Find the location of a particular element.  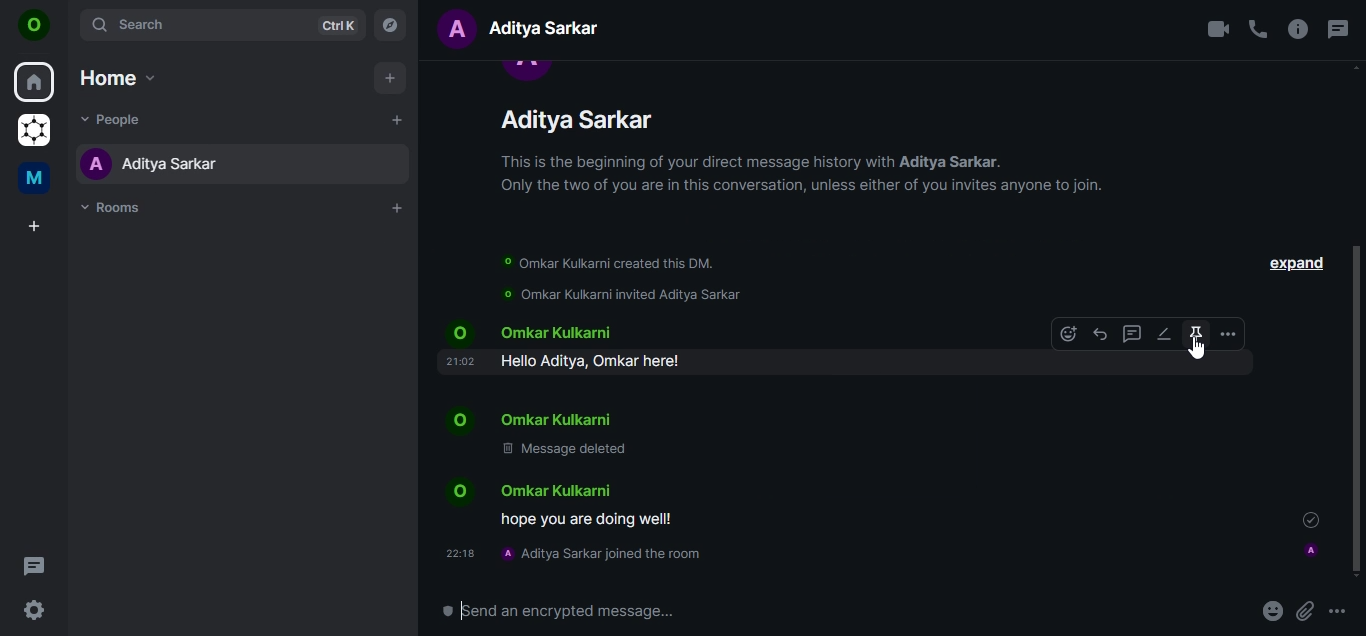

home is located at coordinates (120, 77).